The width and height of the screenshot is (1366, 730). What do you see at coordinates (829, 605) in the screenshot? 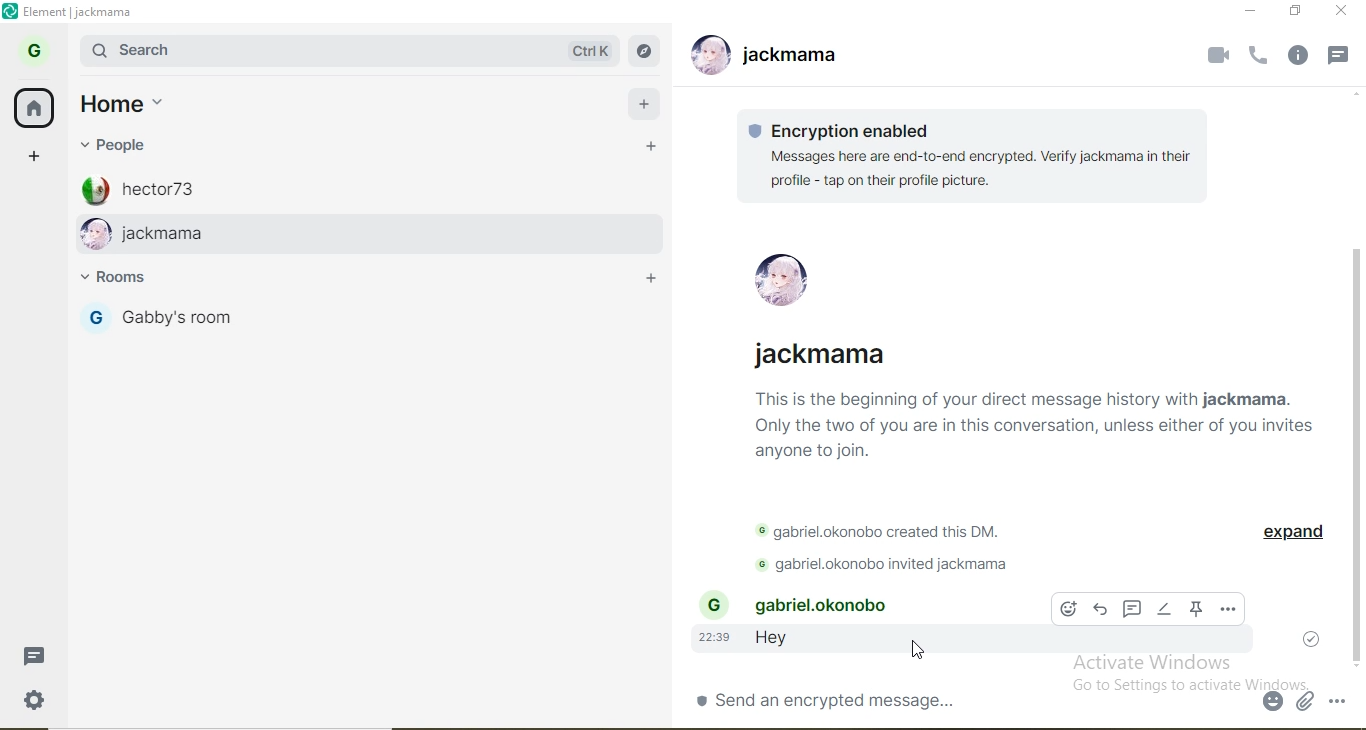
I see `gabriel.okonobo` at bounding box center [829, 605].